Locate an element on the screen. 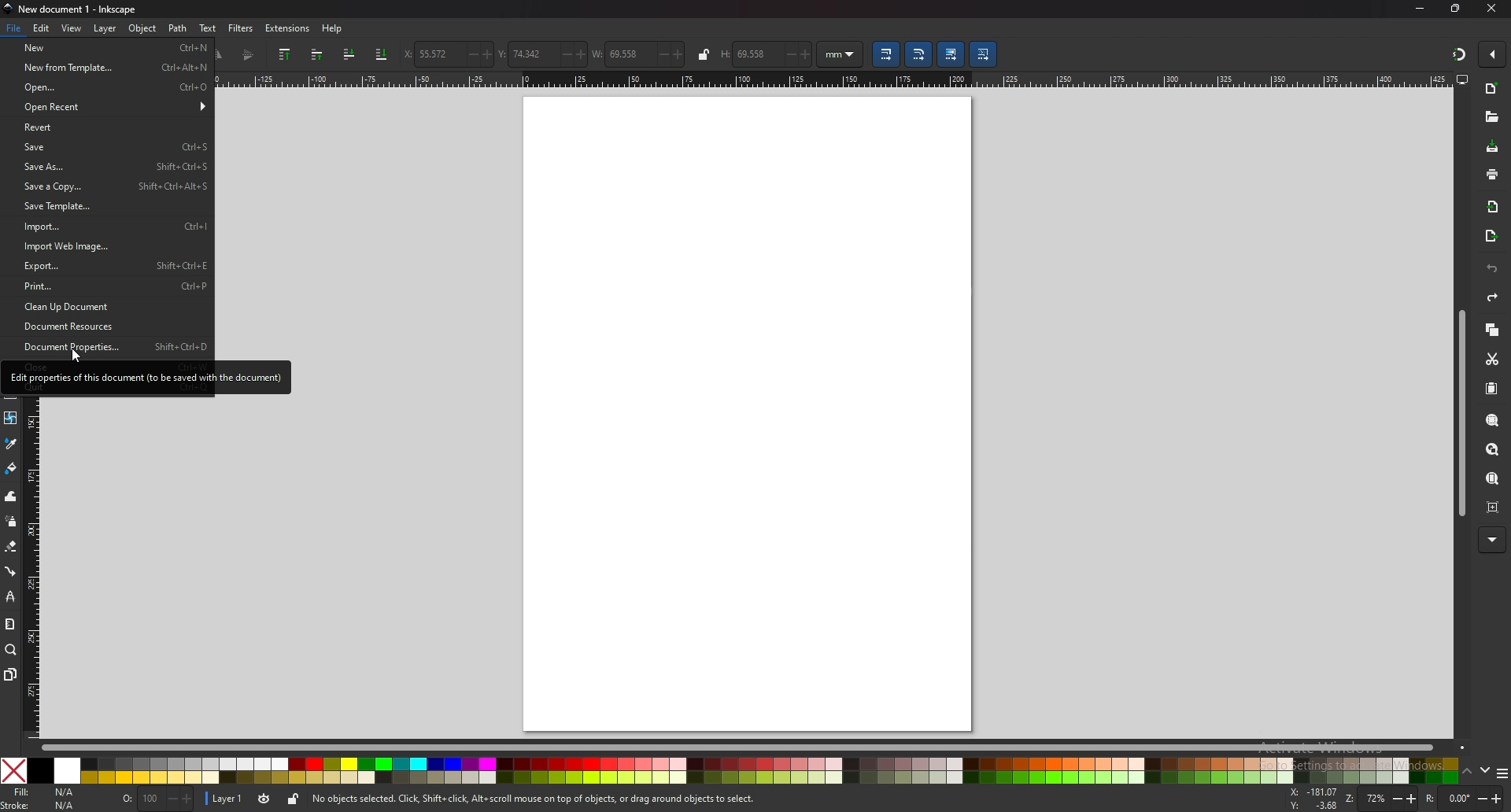 Image resolution: width=1511 pixels, height=812 pixels. zoom drawing is located at coordinates (1493, 449).